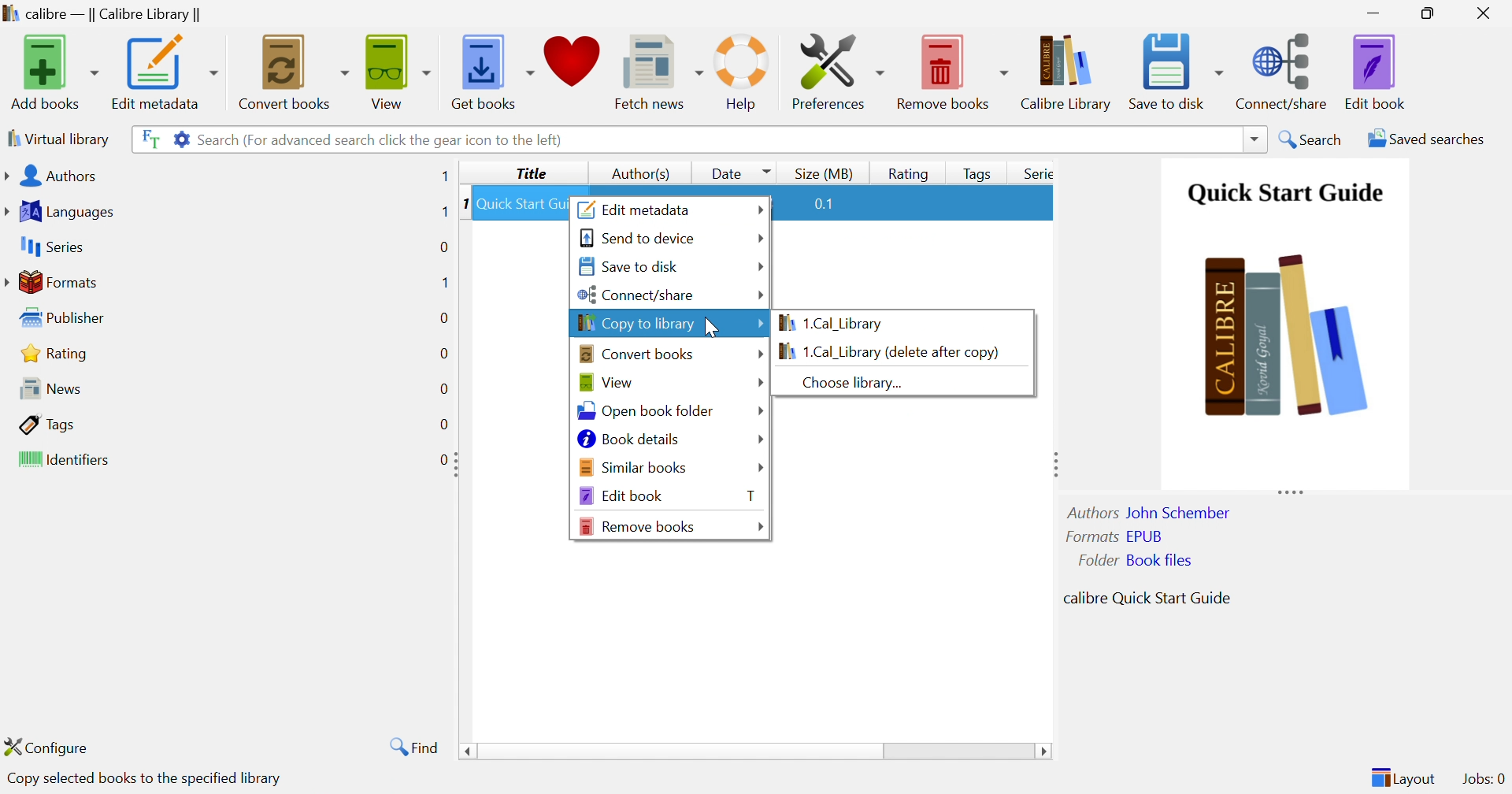 The image size is (1512, 794). What do you see at coordinates (973, 171) in the screenshot?
I see `Tags` at bounding box center [973, 171].